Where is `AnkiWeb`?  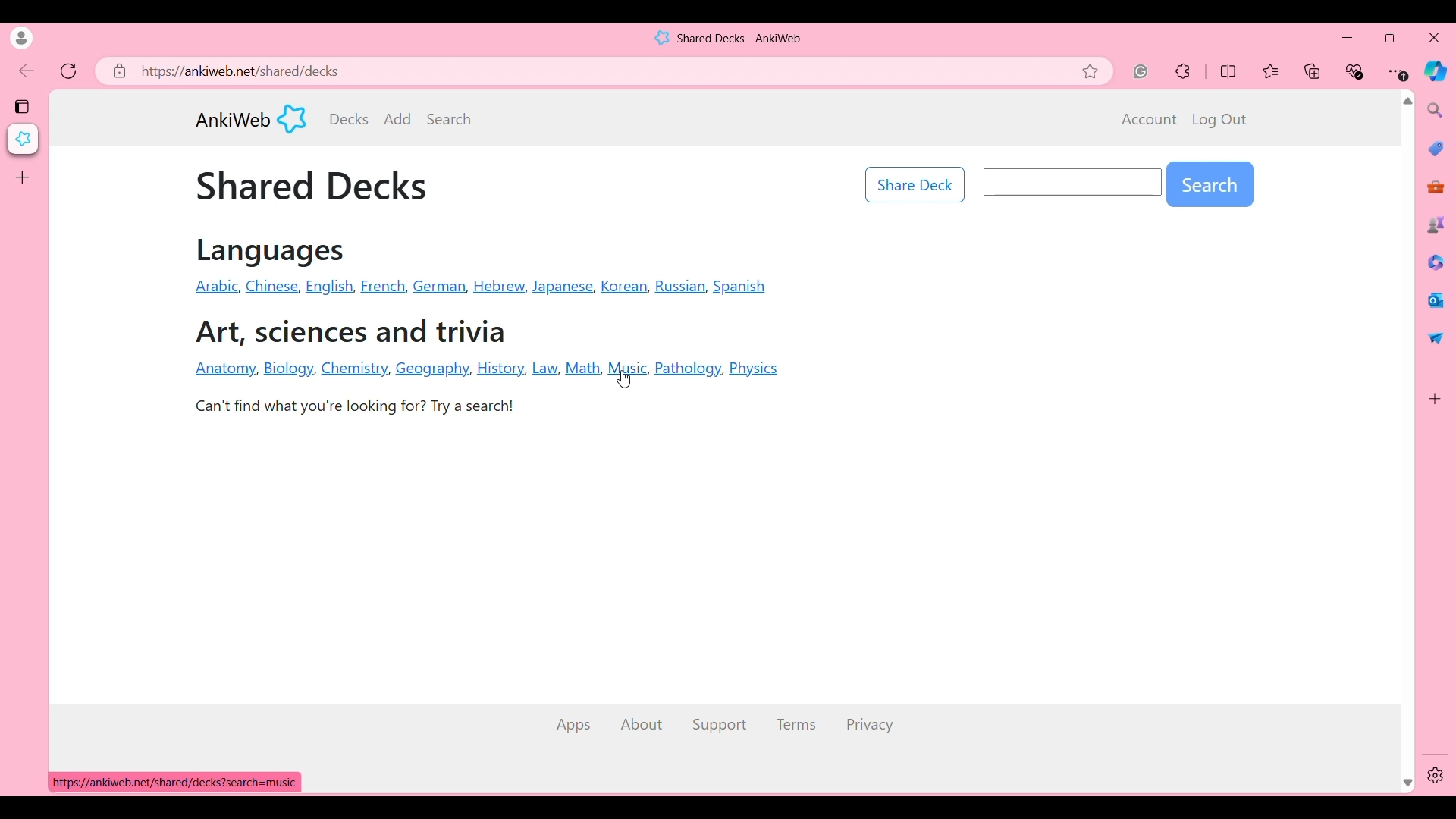
AnkiWeb is located at coordinates (233, 120).